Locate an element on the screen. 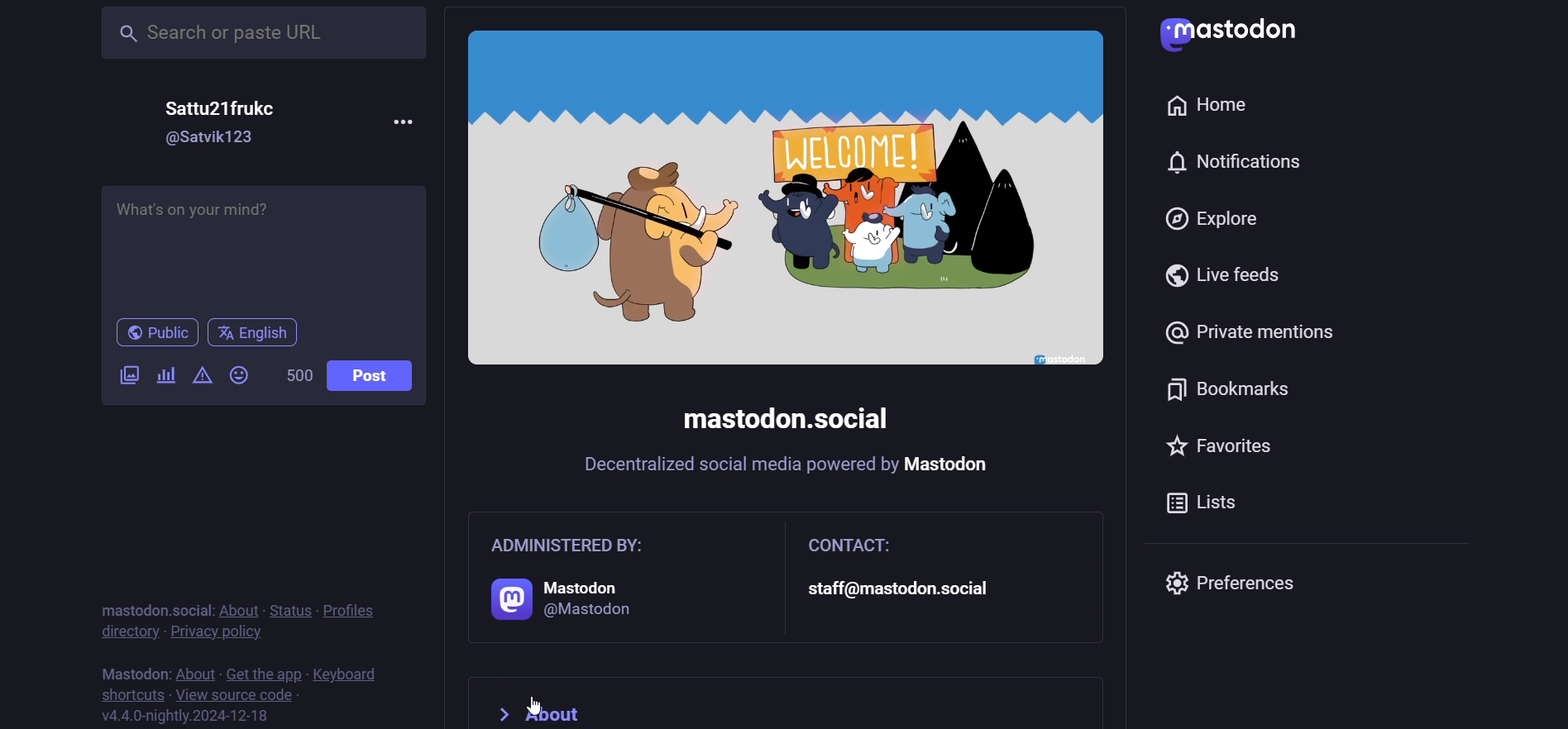 The height and width of the screenshot is (729, 1568). instruction is located at coordinates (789, 468).